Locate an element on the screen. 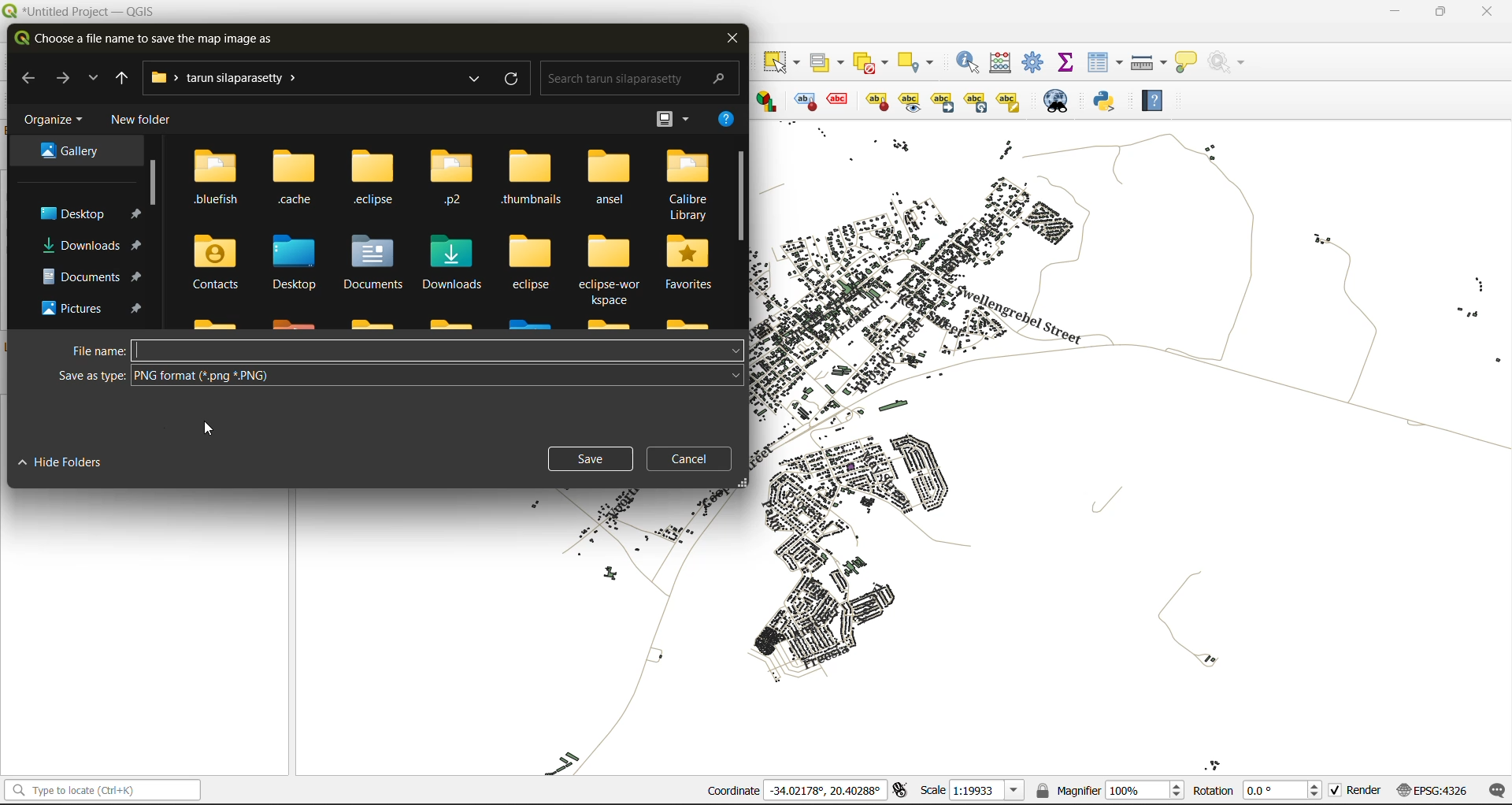 The width and height of the screenshot is (1512, 805). Change label properties is located at coordinates (1009, 100).